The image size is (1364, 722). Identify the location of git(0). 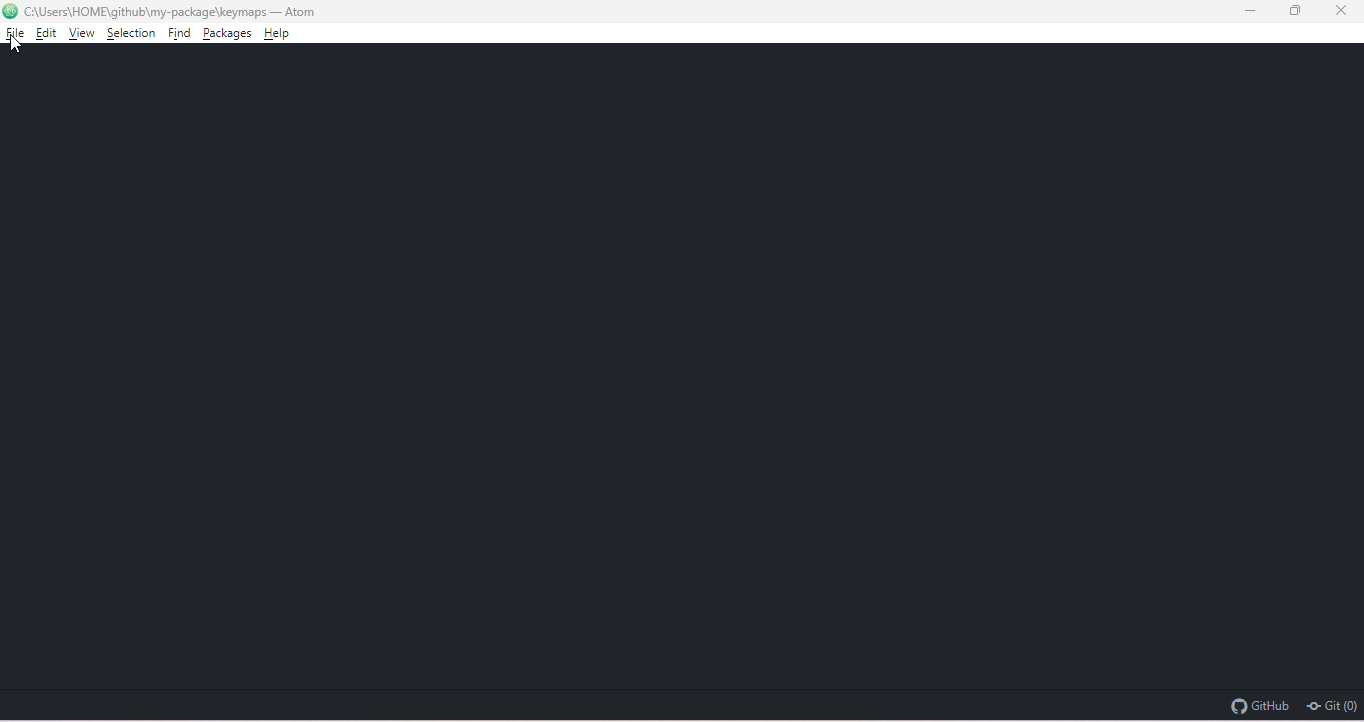
(1336, 707).